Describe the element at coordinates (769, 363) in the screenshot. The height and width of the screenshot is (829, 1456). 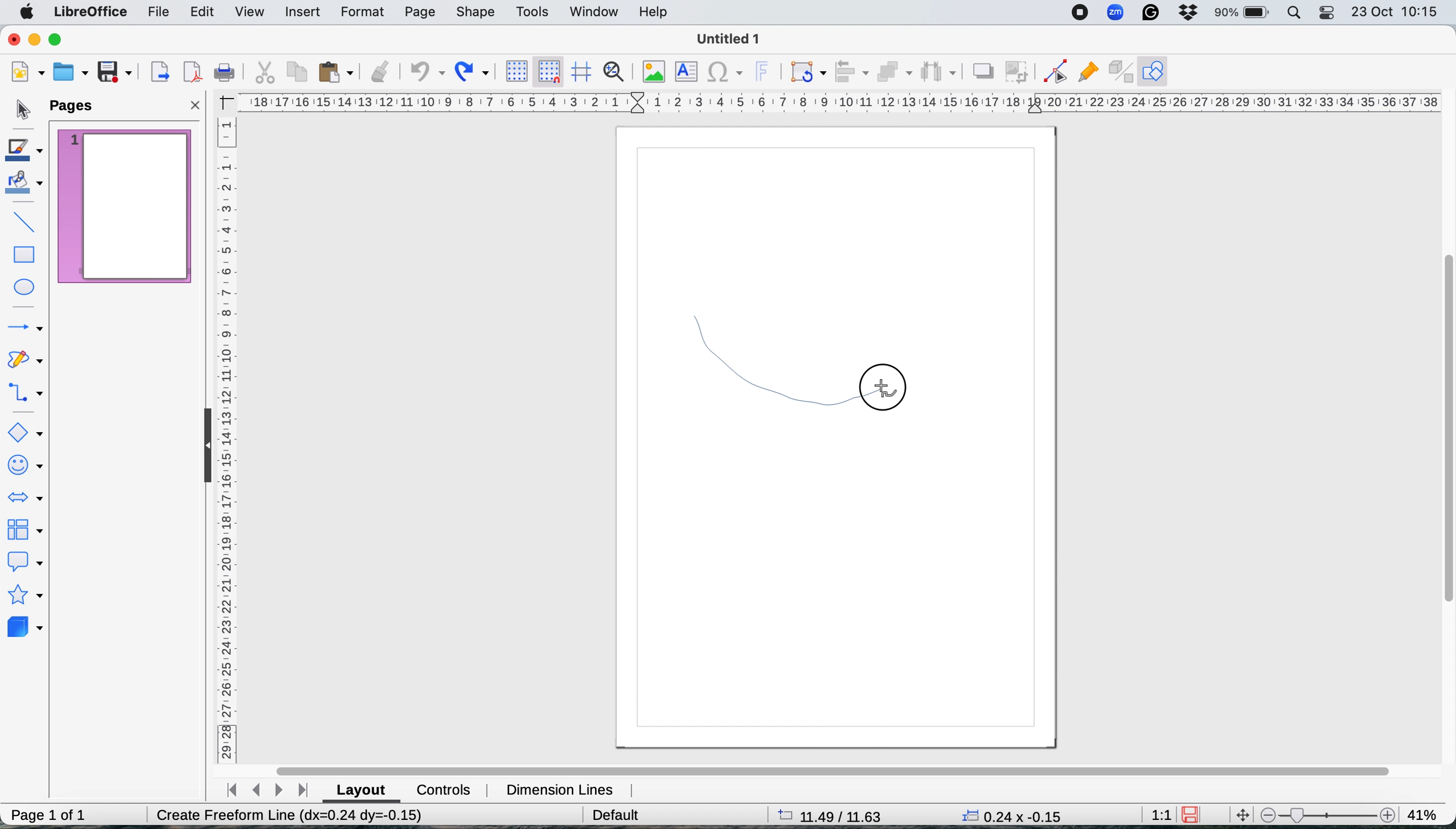
I see `draw freehand shape` at that location.